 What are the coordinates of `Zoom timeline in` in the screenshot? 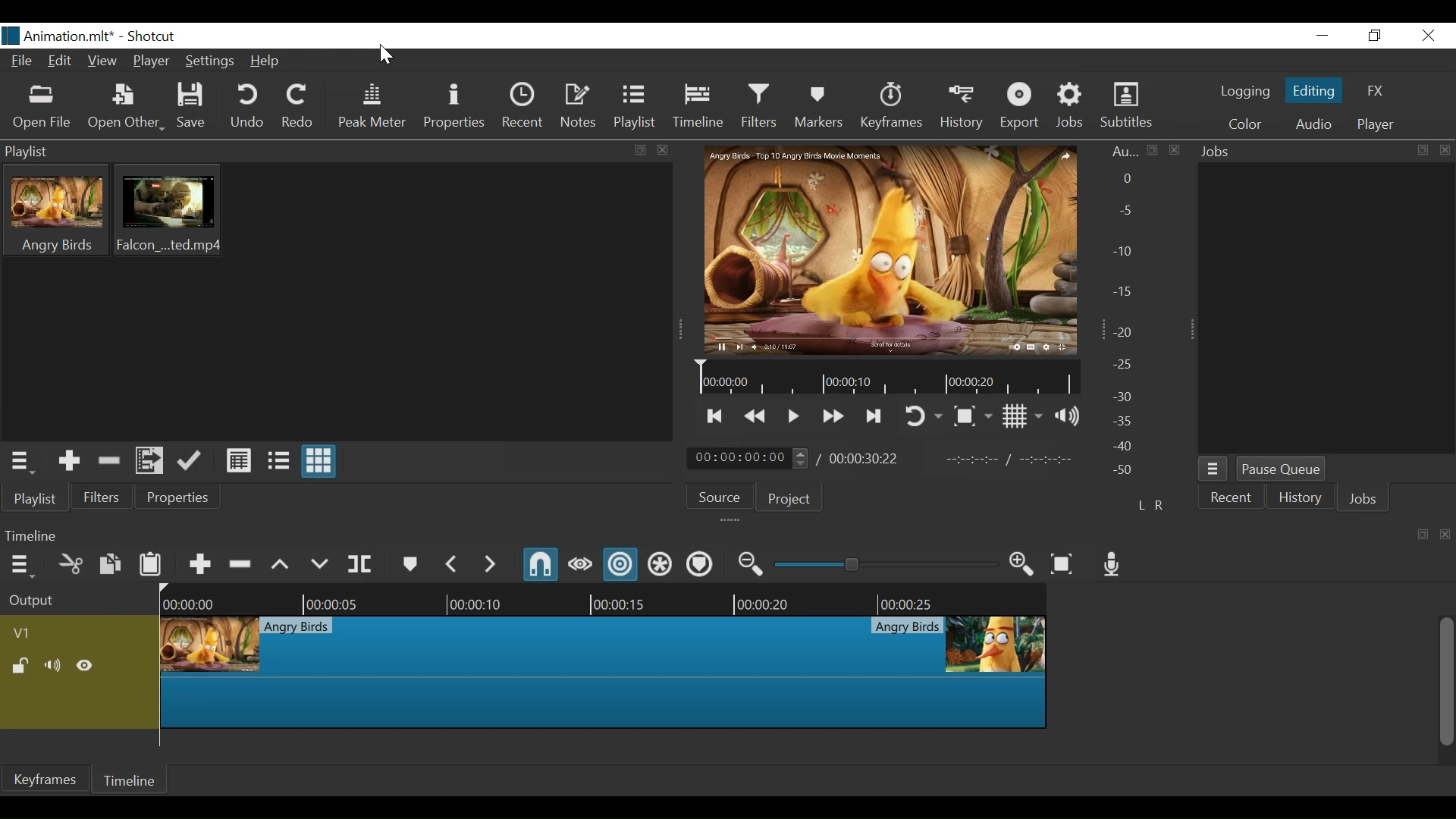 It's located at (1022, 566).